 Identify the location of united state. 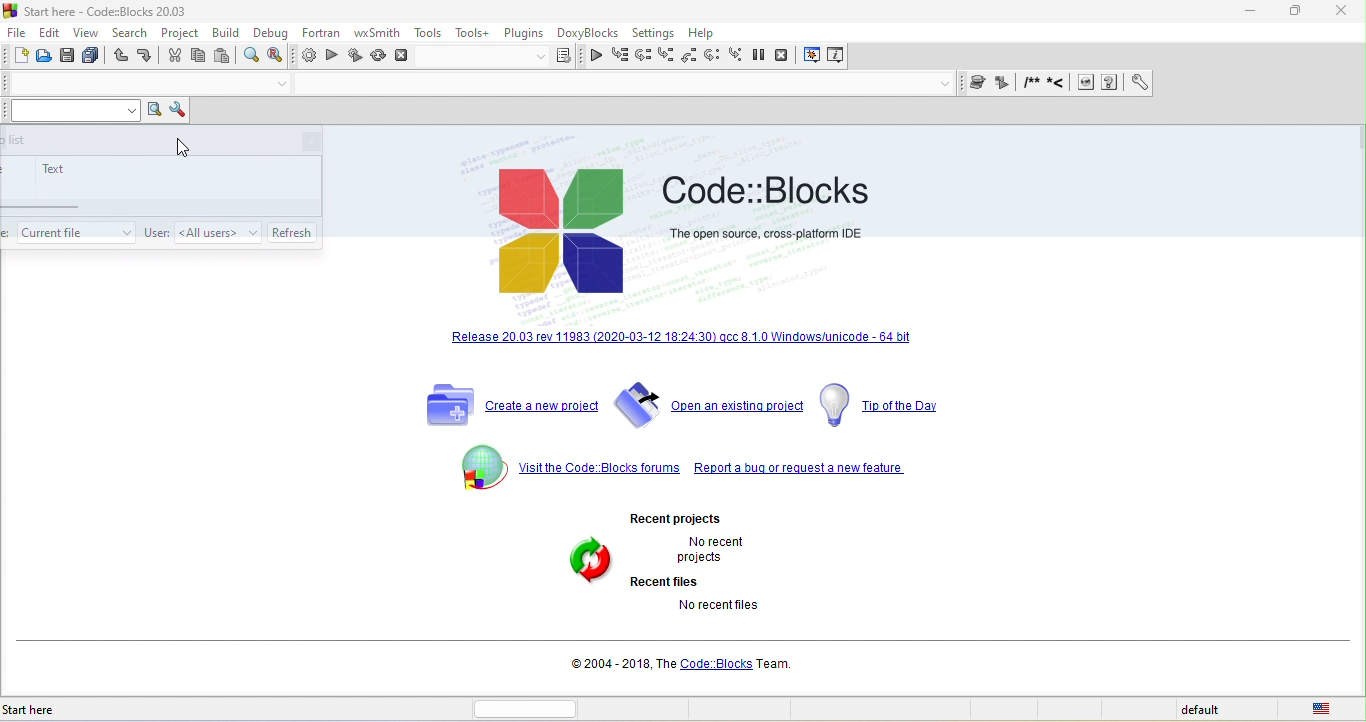
(1326, 708).